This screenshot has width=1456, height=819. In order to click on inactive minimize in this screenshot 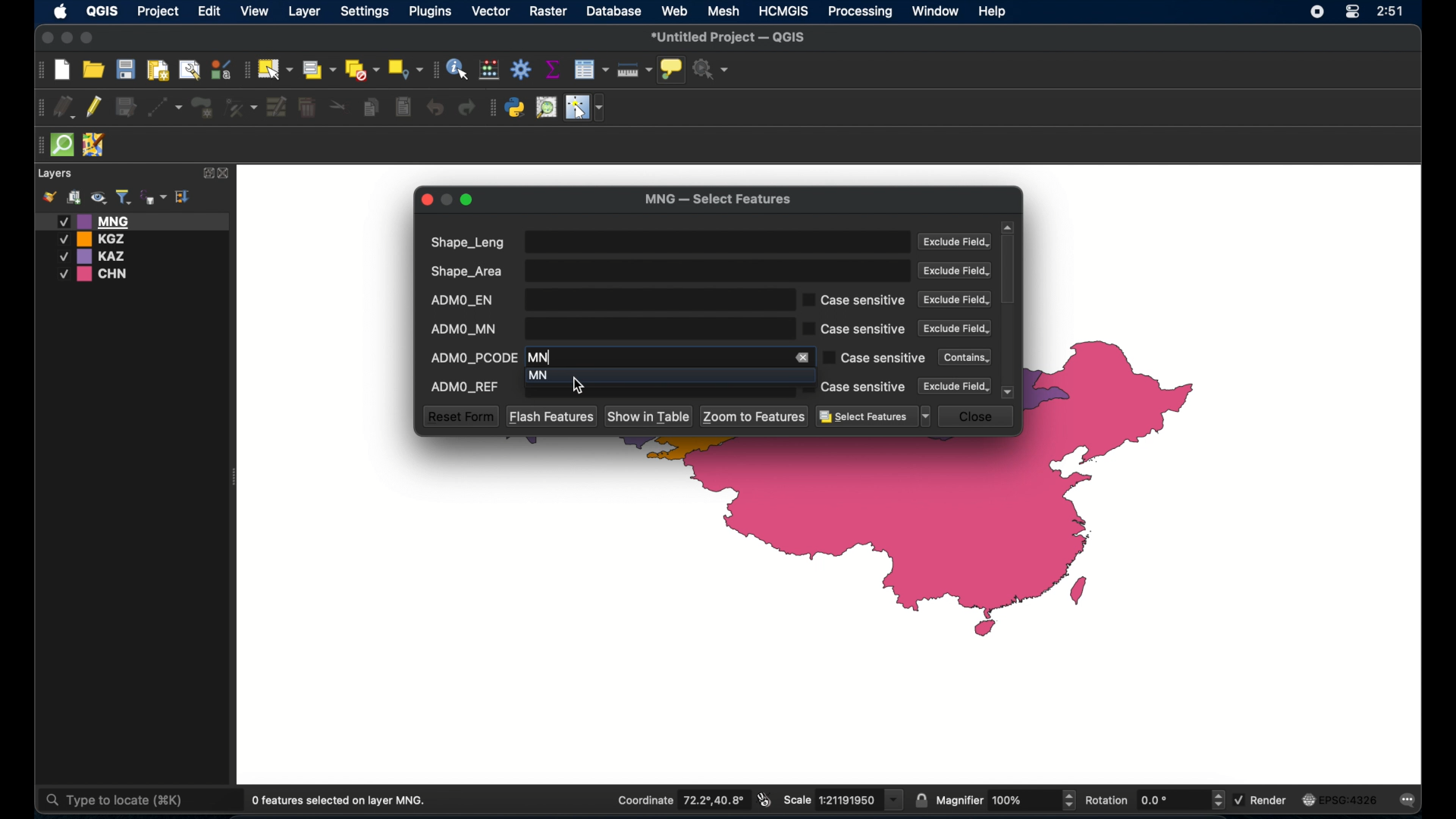, I will do `click(447, 199)`.